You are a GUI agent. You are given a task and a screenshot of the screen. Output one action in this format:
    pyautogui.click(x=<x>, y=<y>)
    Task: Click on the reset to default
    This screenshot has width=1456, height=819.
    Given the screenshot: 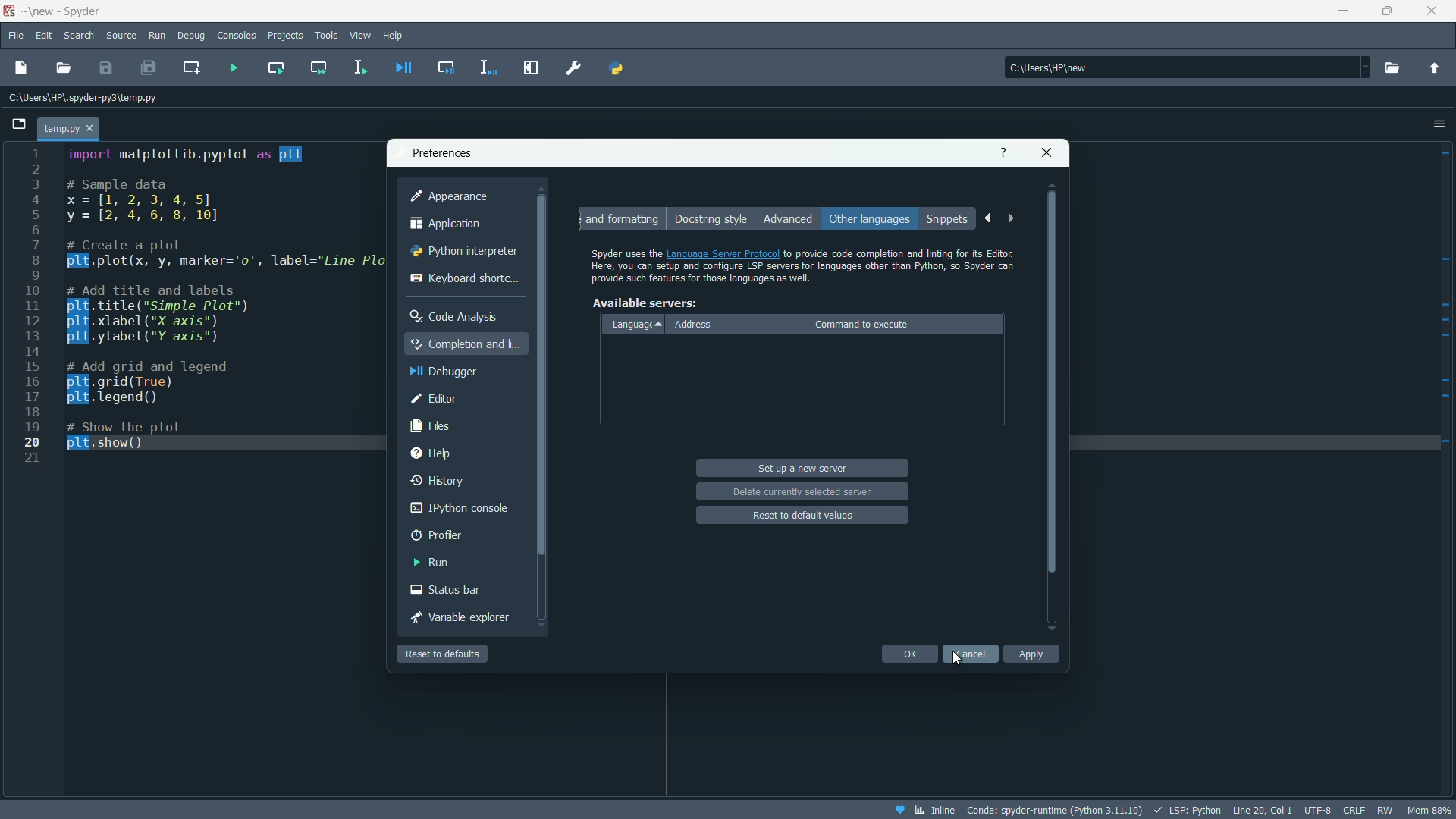 What is the action you would take?
    pyautogui.click(x=443, y=654)
    